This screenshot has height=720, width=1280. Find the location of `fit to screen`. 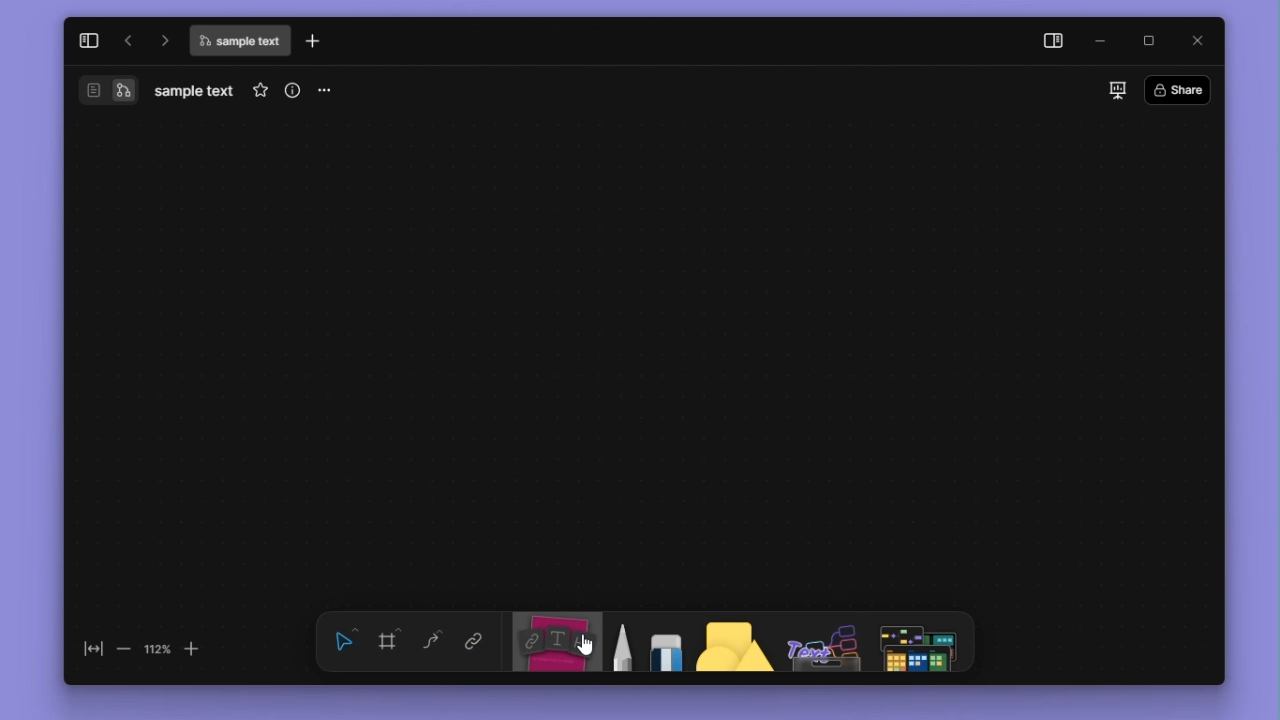

fit to screen is located at coordinates (94, 649).